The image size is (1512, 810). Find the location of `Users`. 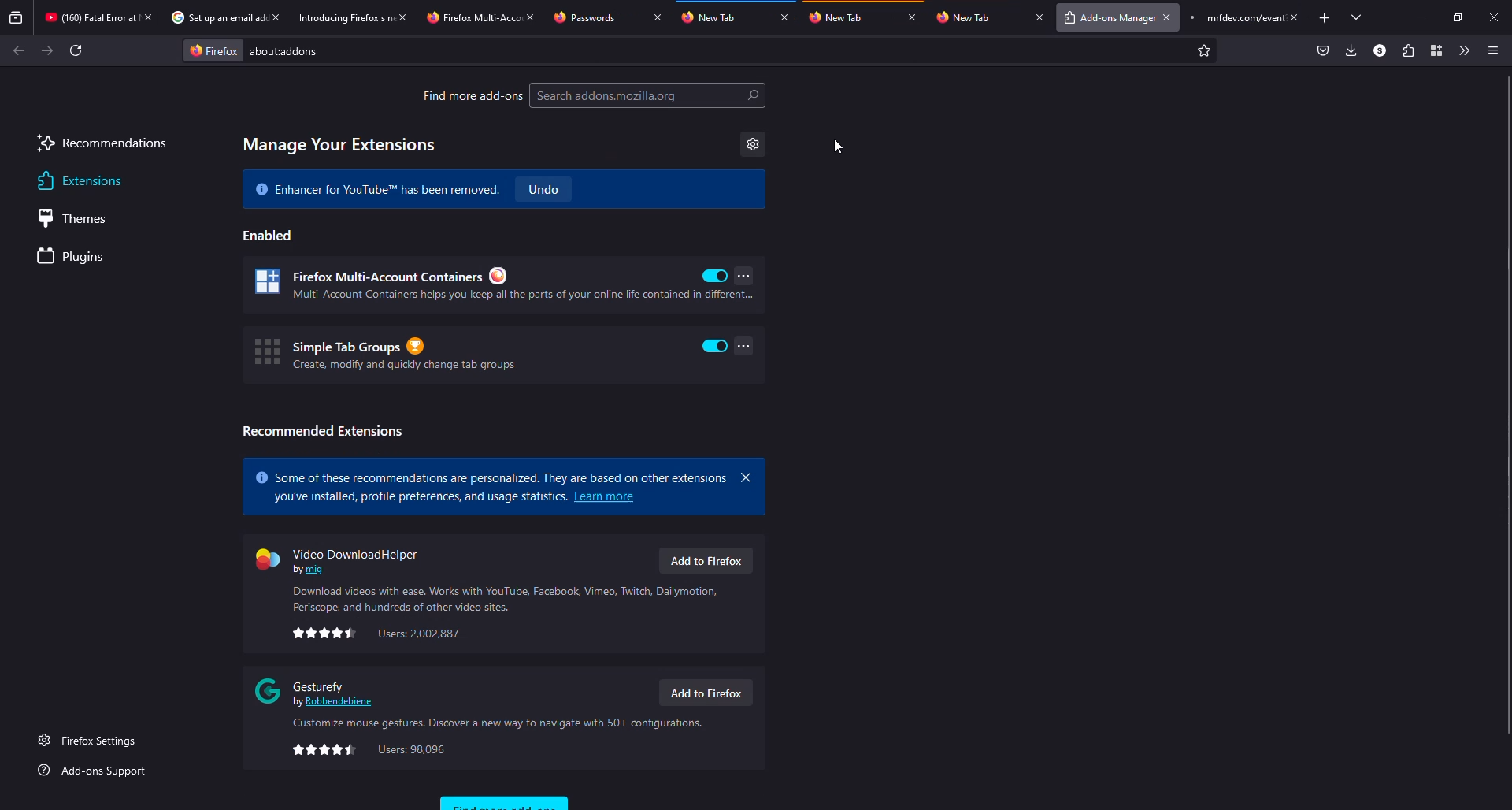

Users is located at coordinates (418, 634).